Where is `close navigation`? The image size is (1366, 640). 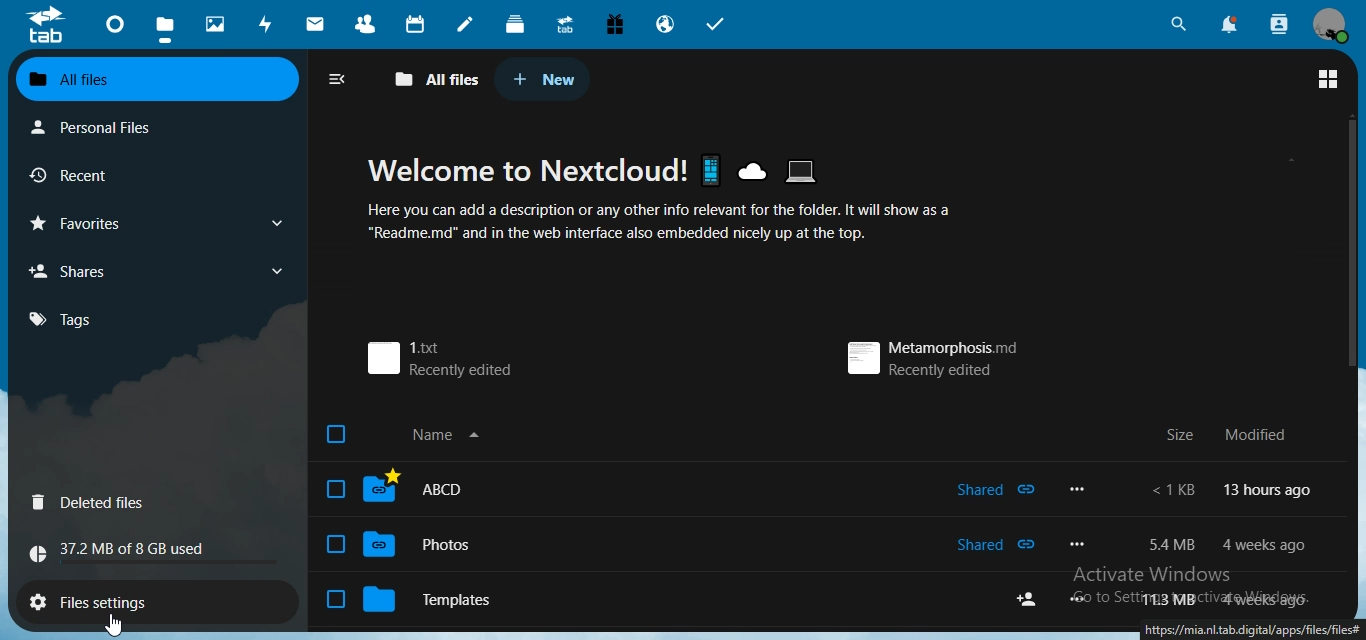 close navigation is located at coordinates (339, 80).